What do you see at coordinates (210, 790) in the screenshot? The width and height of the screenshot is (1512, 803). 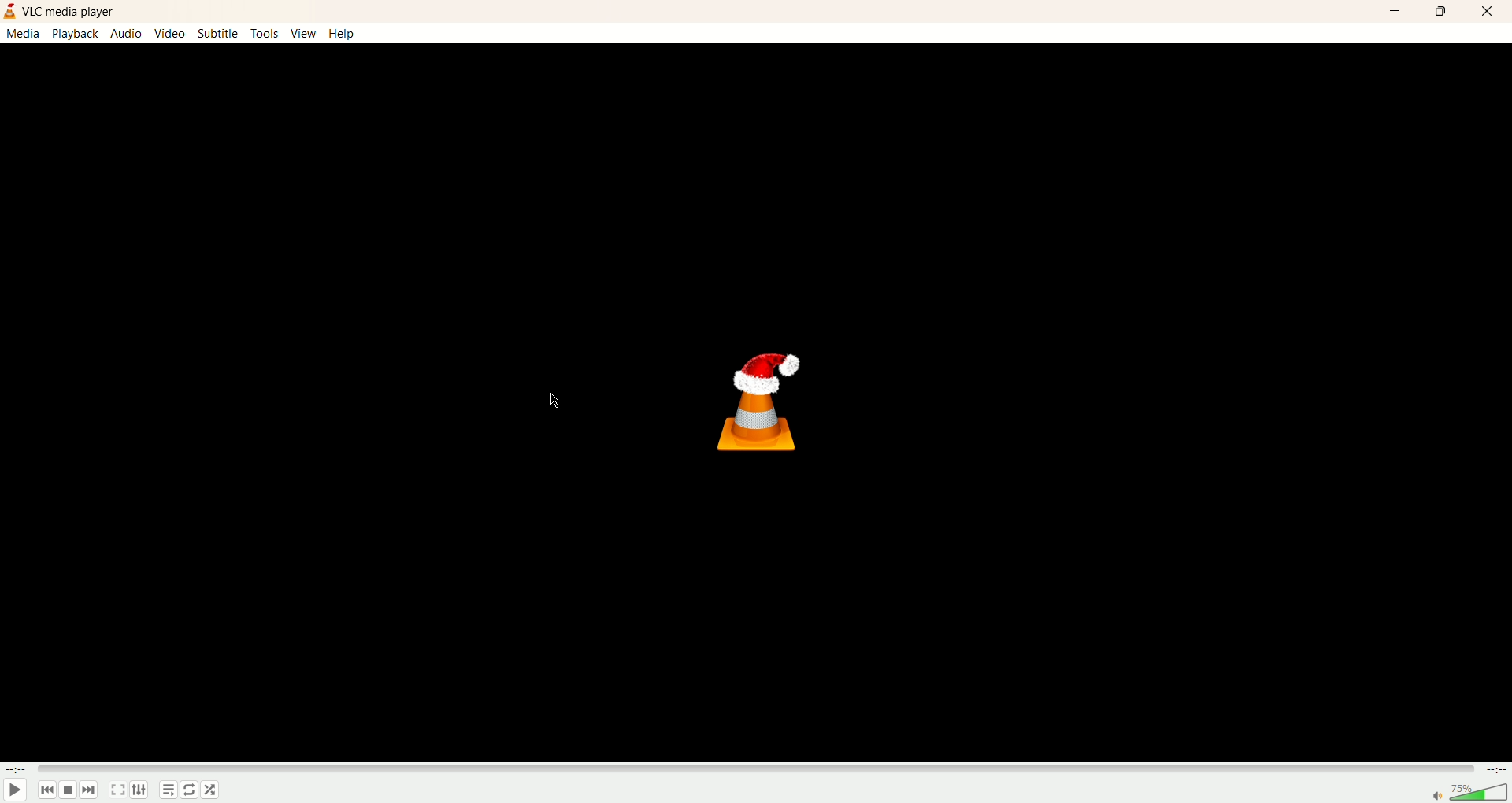 I see `loop` at bounding box center [210, 790].